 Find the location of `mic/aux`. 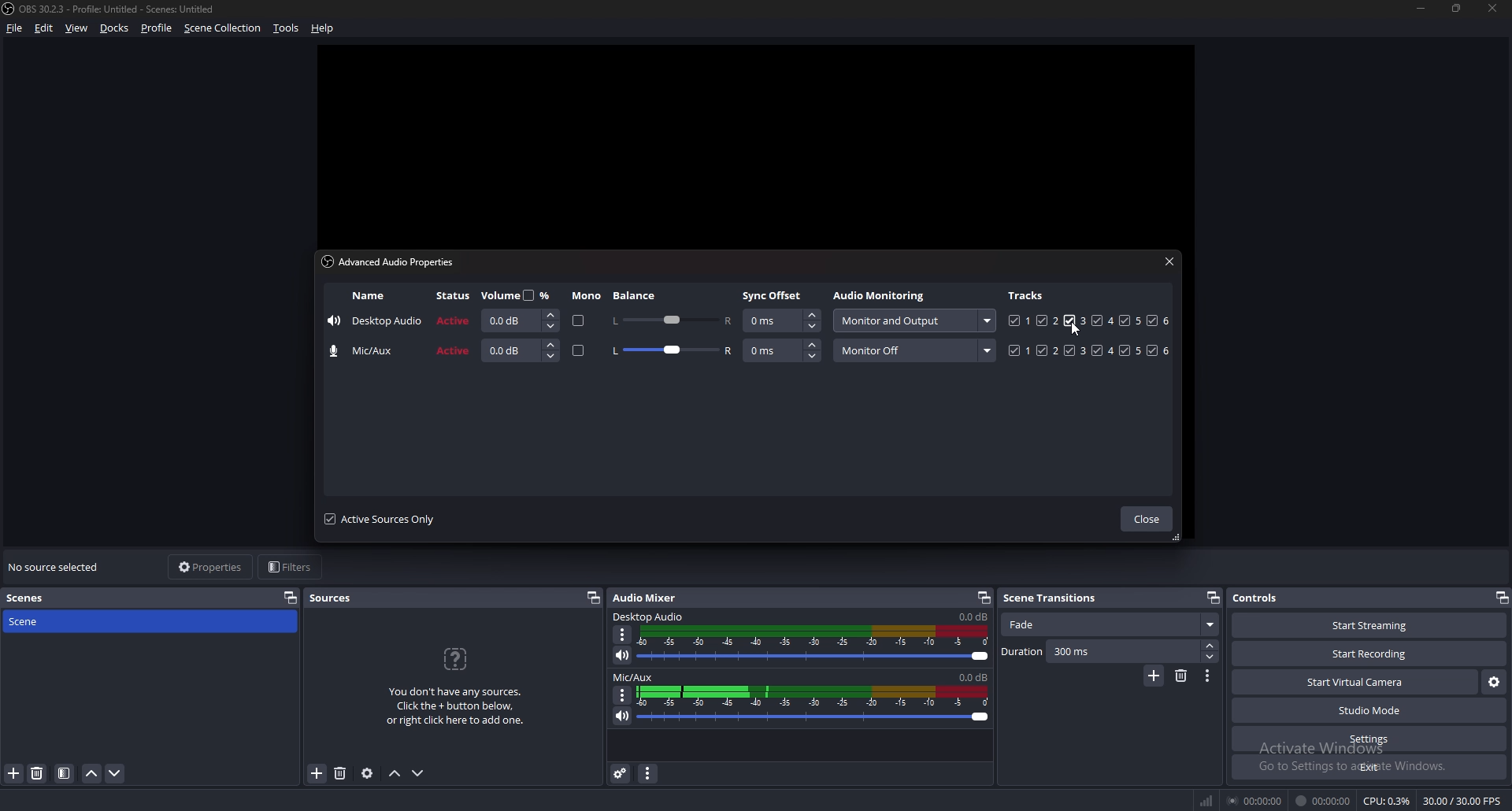

mic/aux is located at coordinates (367, 351).